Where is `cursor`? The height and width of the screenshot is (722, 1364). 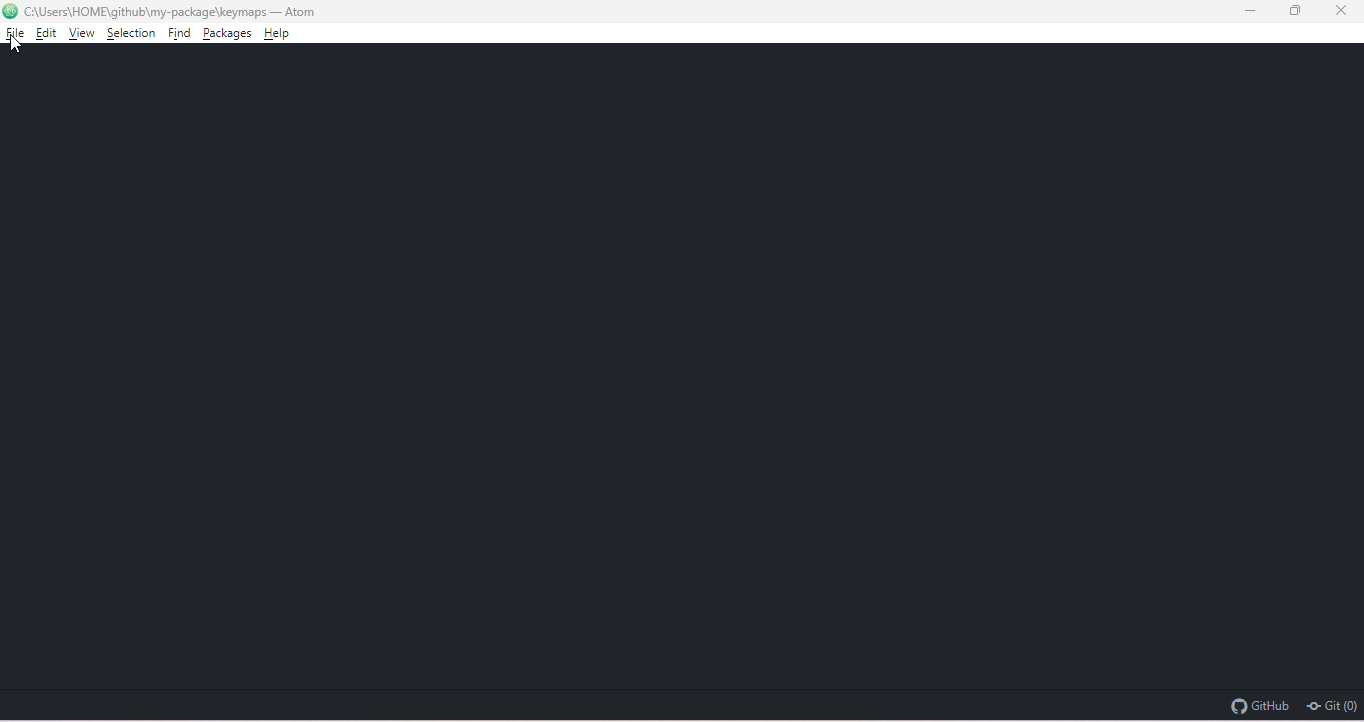
cursor is located at coordinates (12, 46).